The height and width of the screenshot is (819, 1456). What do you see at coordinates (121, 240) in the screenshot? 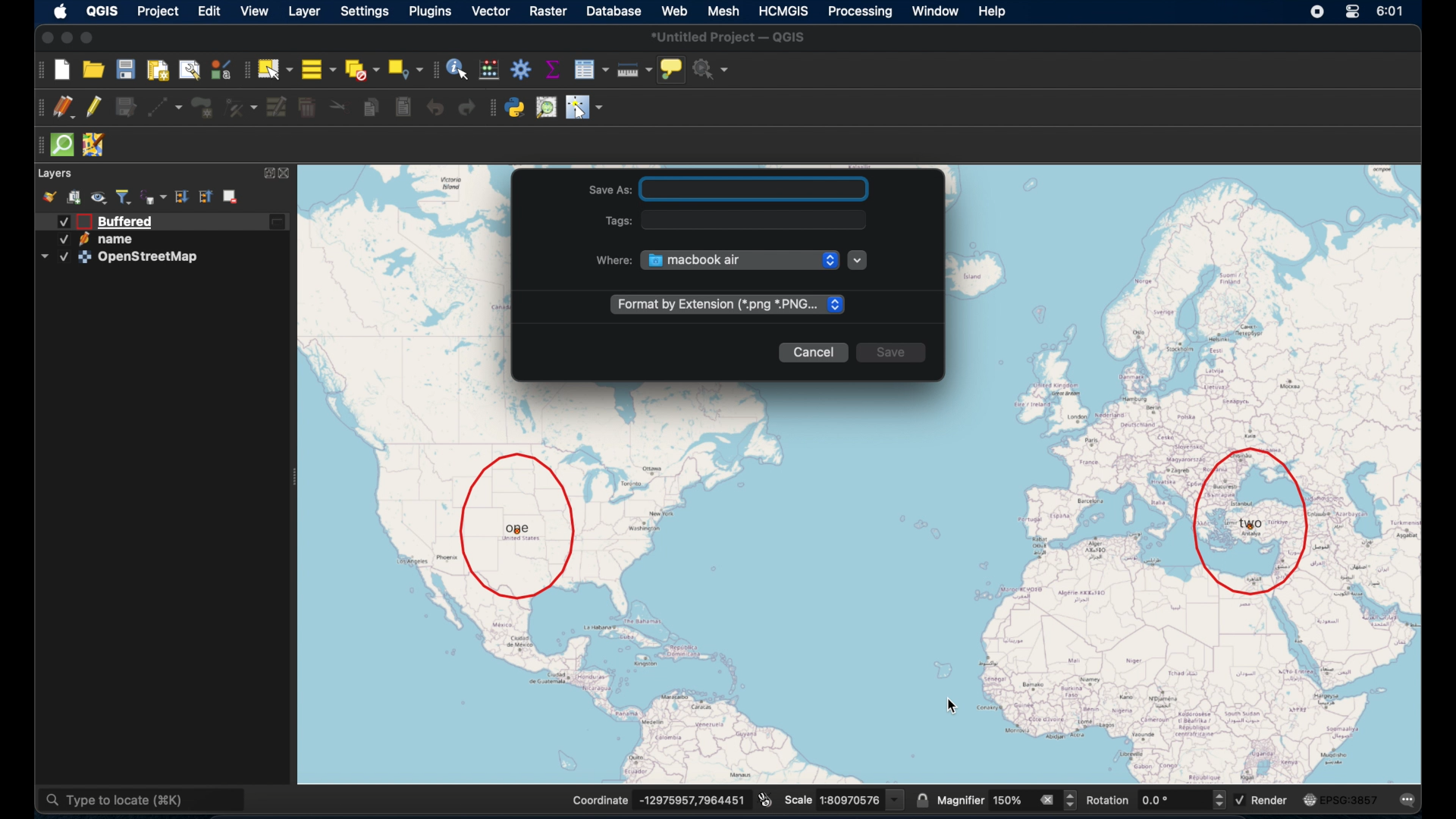
I see `name` at bounding box center [121, 240].